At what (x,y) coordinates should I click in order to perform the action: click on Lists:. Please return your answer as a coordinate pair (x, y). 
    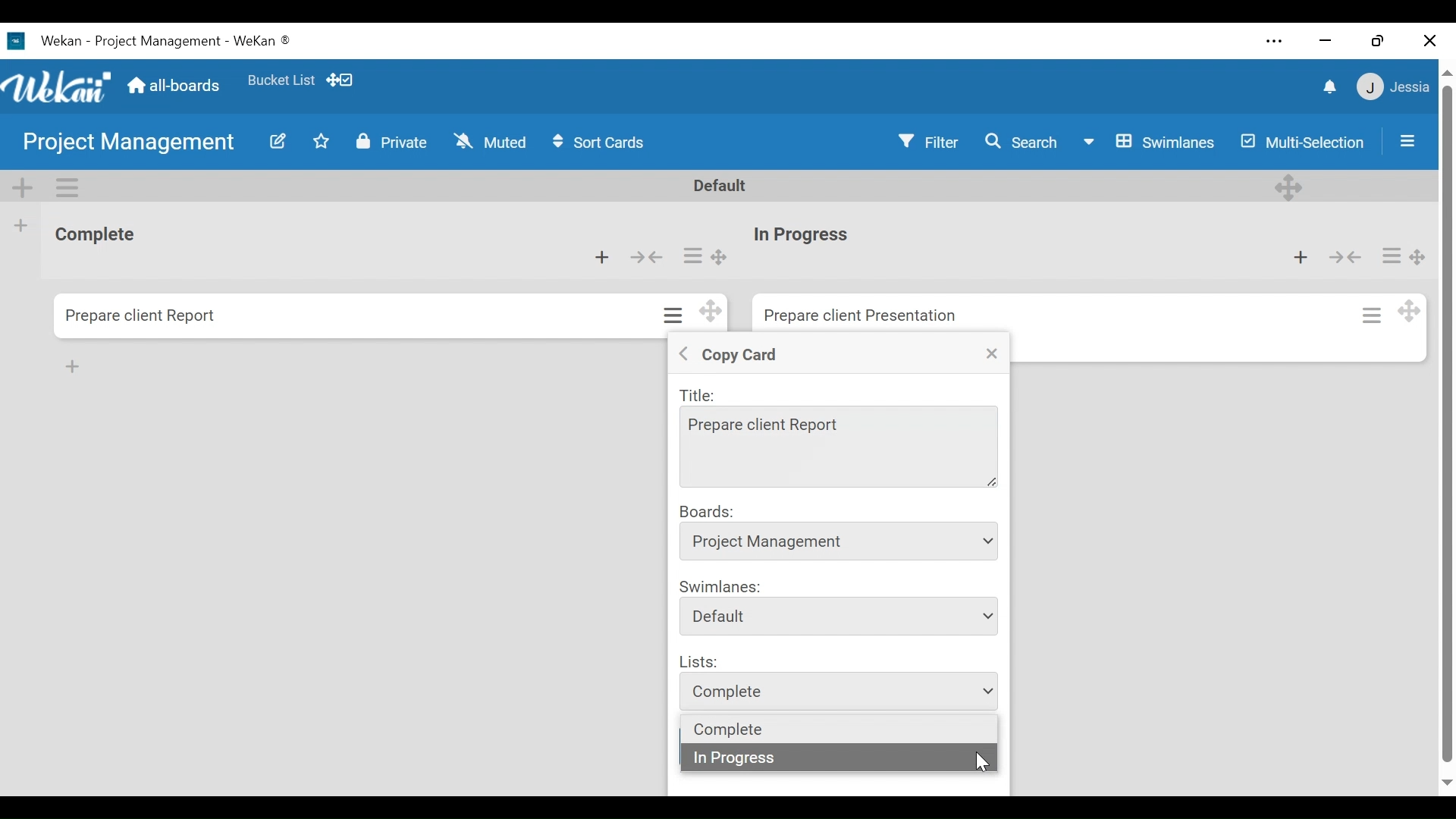
    Looking at the image, I should click on (703, 660).